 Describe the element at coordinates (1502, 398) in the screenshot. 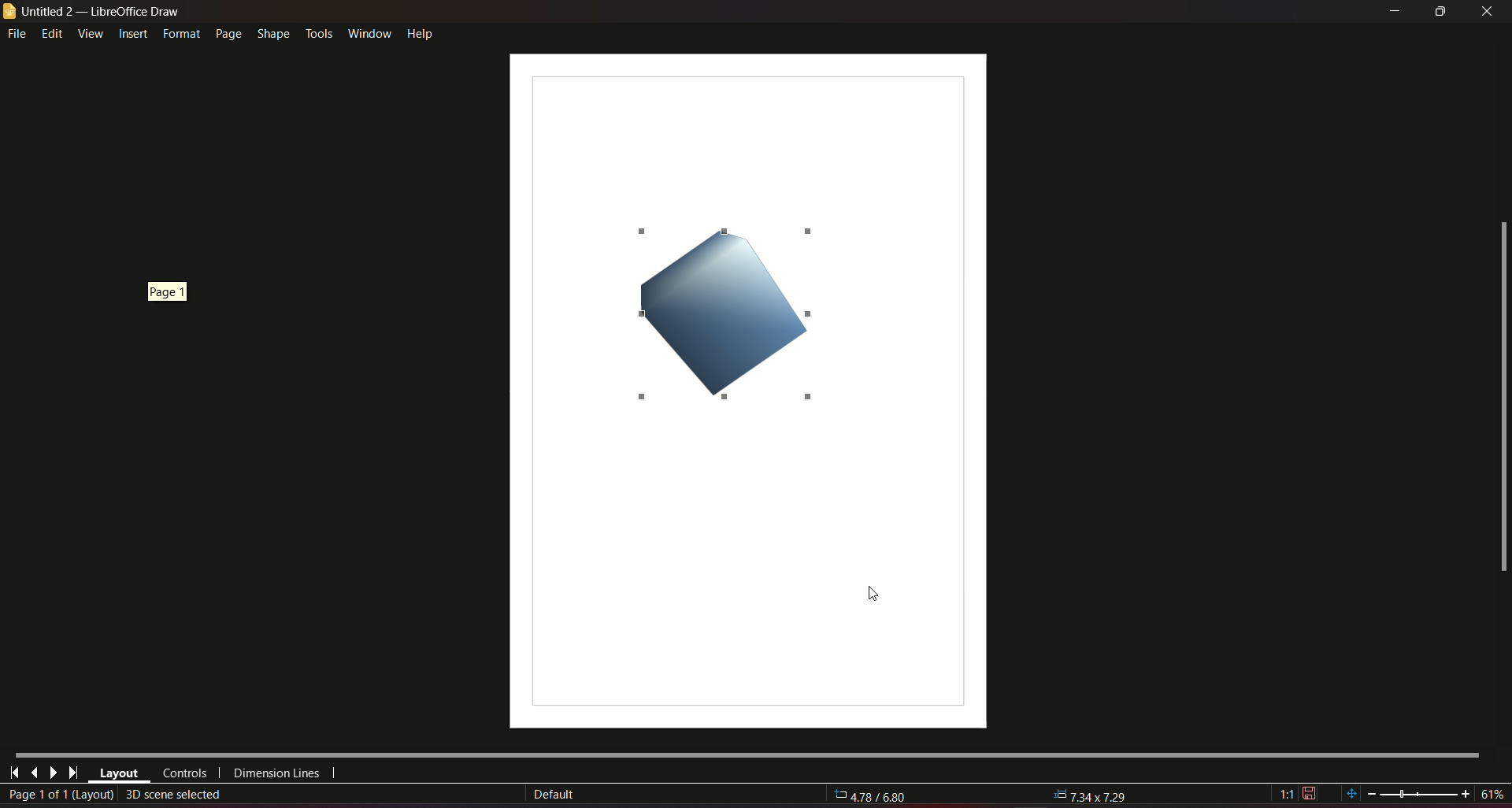

I see `scrollbar` at that location.